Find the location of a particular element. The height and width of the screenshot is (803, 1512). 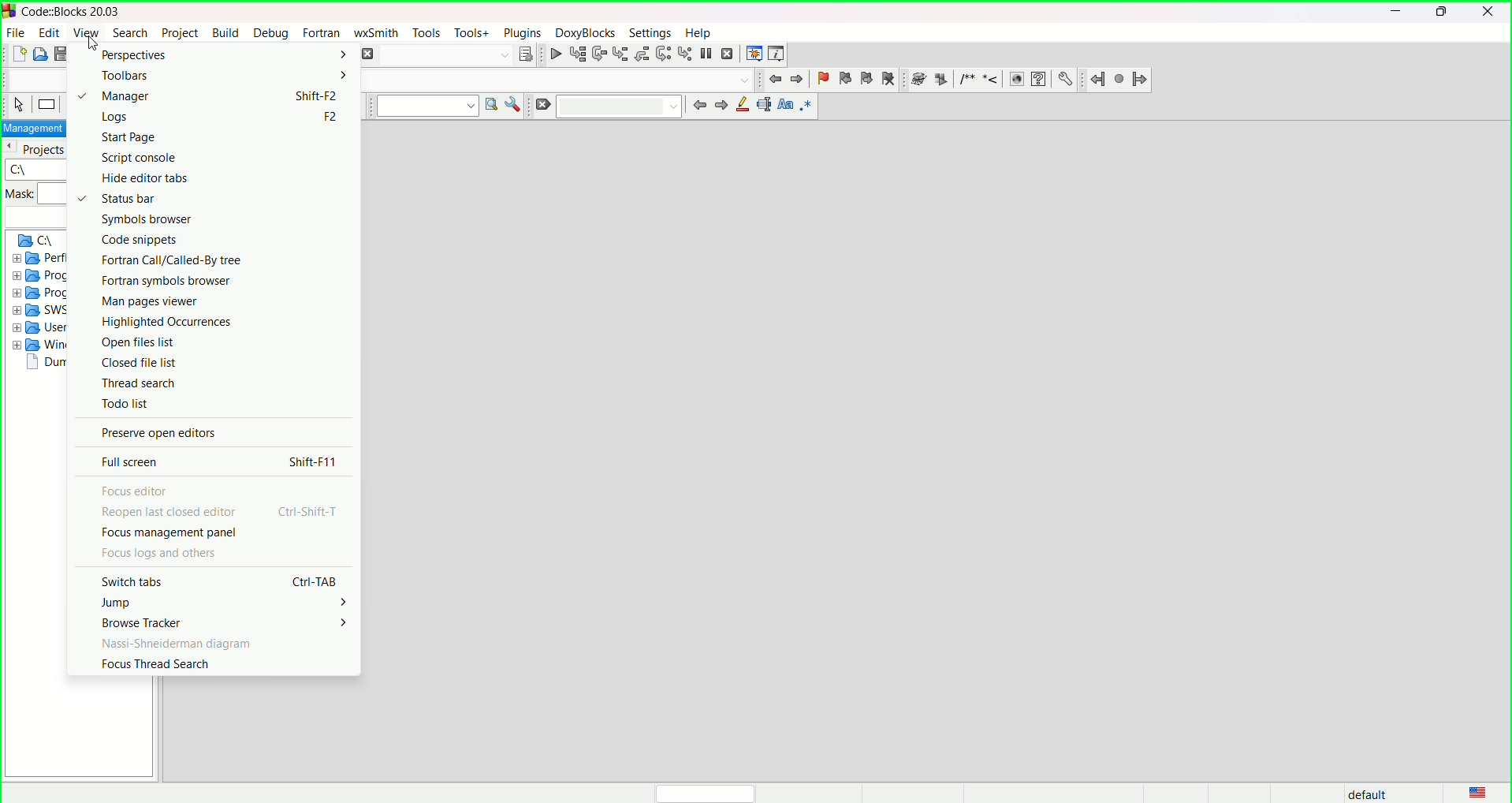

minimize/maximize is located at coordinates (1441, 13).